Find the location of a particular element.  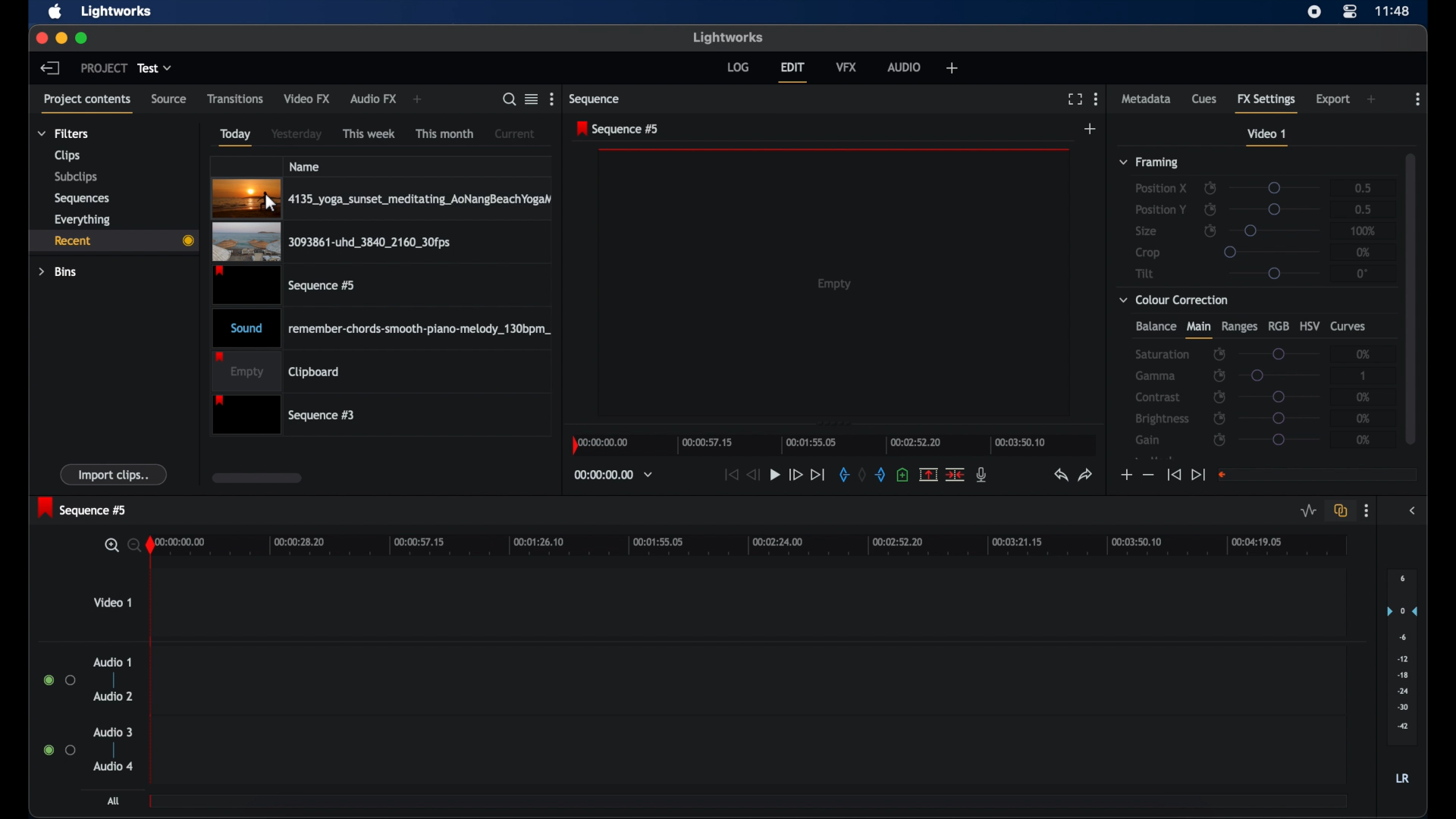

vfx is located at coordinates (847, 67).